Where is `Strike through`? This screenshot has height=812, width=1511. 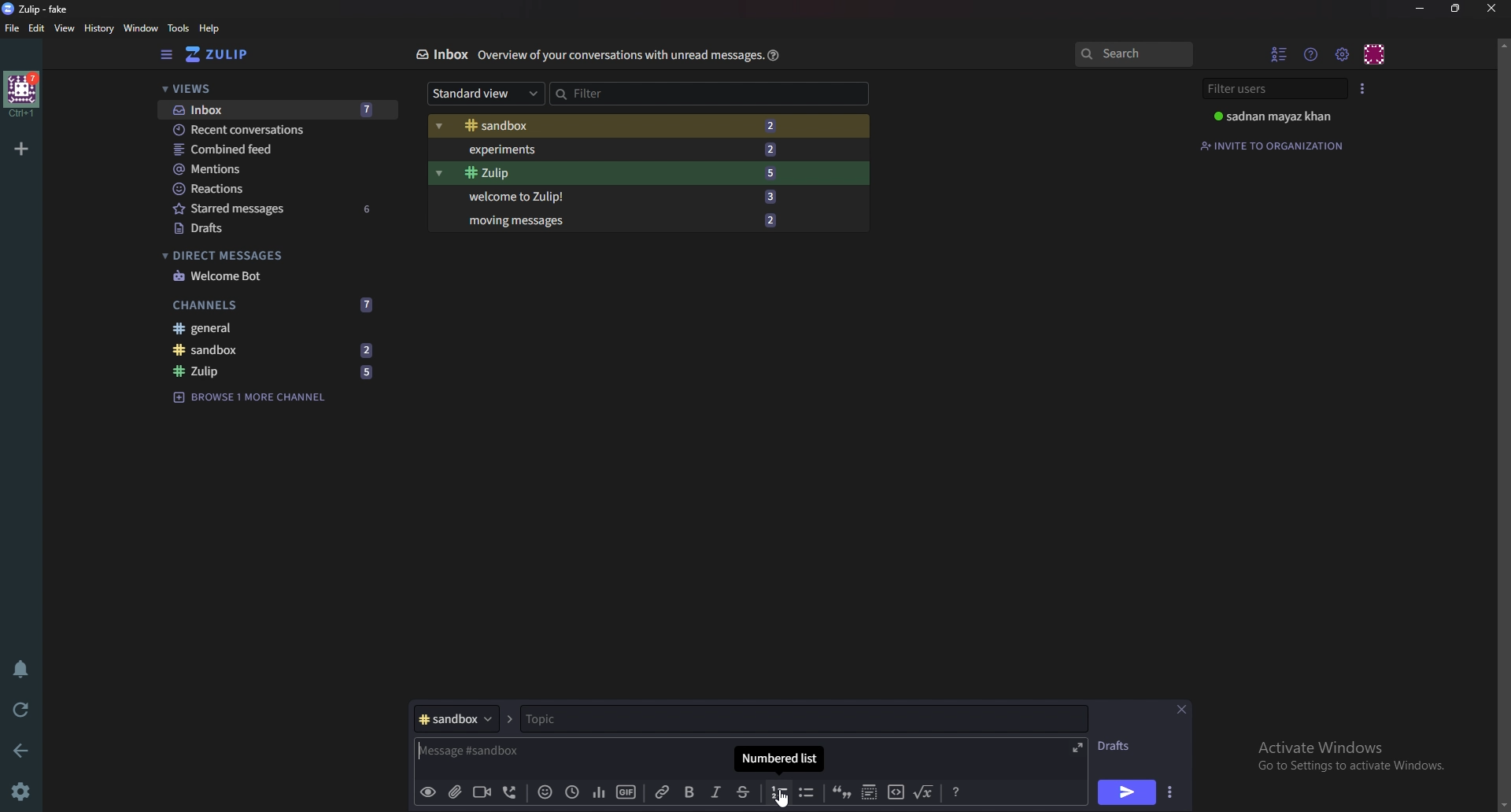 Strike through is located at coordinates (744, 792).